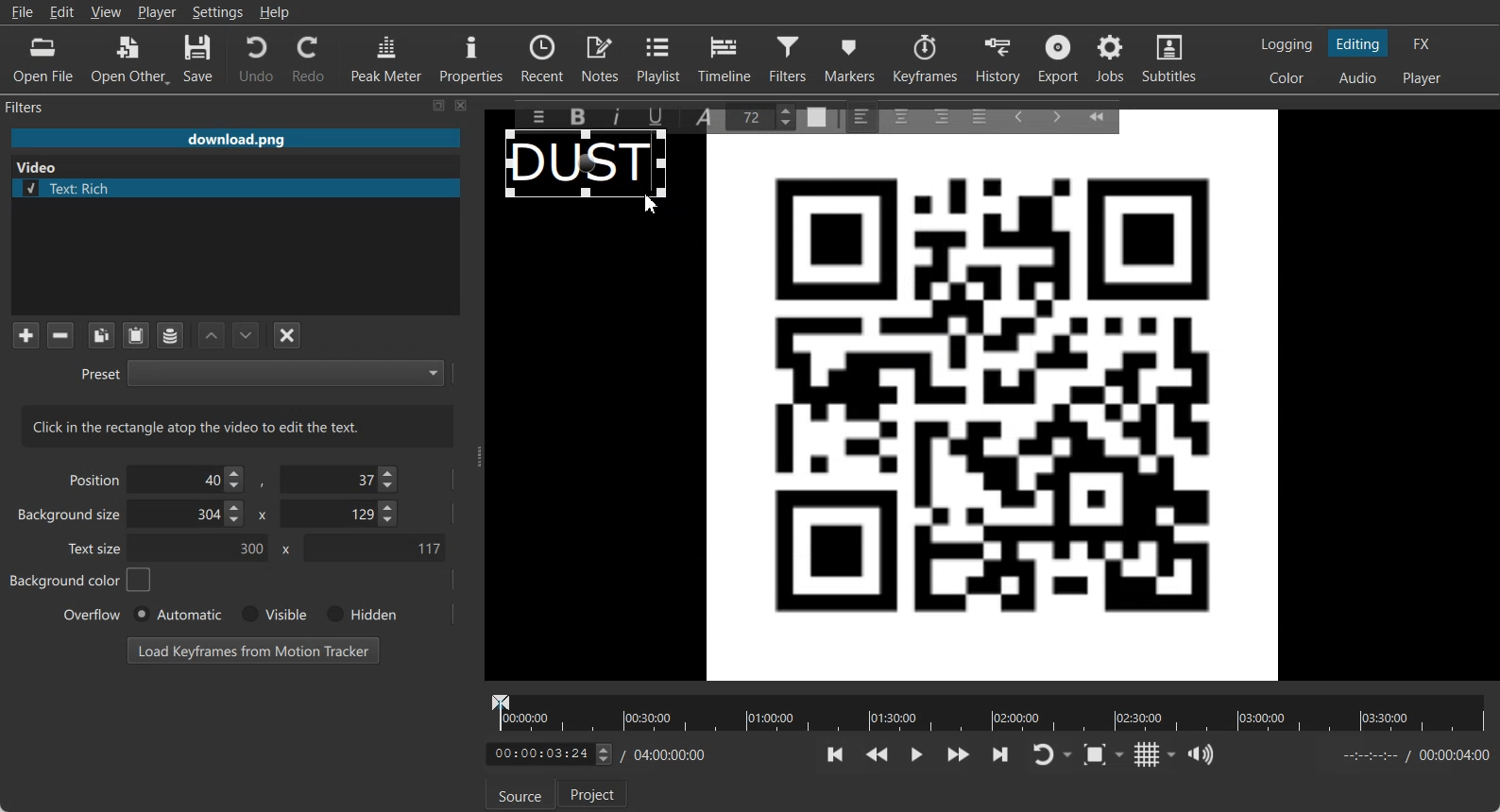  Describe the element at coordinates (548, 755) in the screenshot. I see `adjust Time ` at that location.